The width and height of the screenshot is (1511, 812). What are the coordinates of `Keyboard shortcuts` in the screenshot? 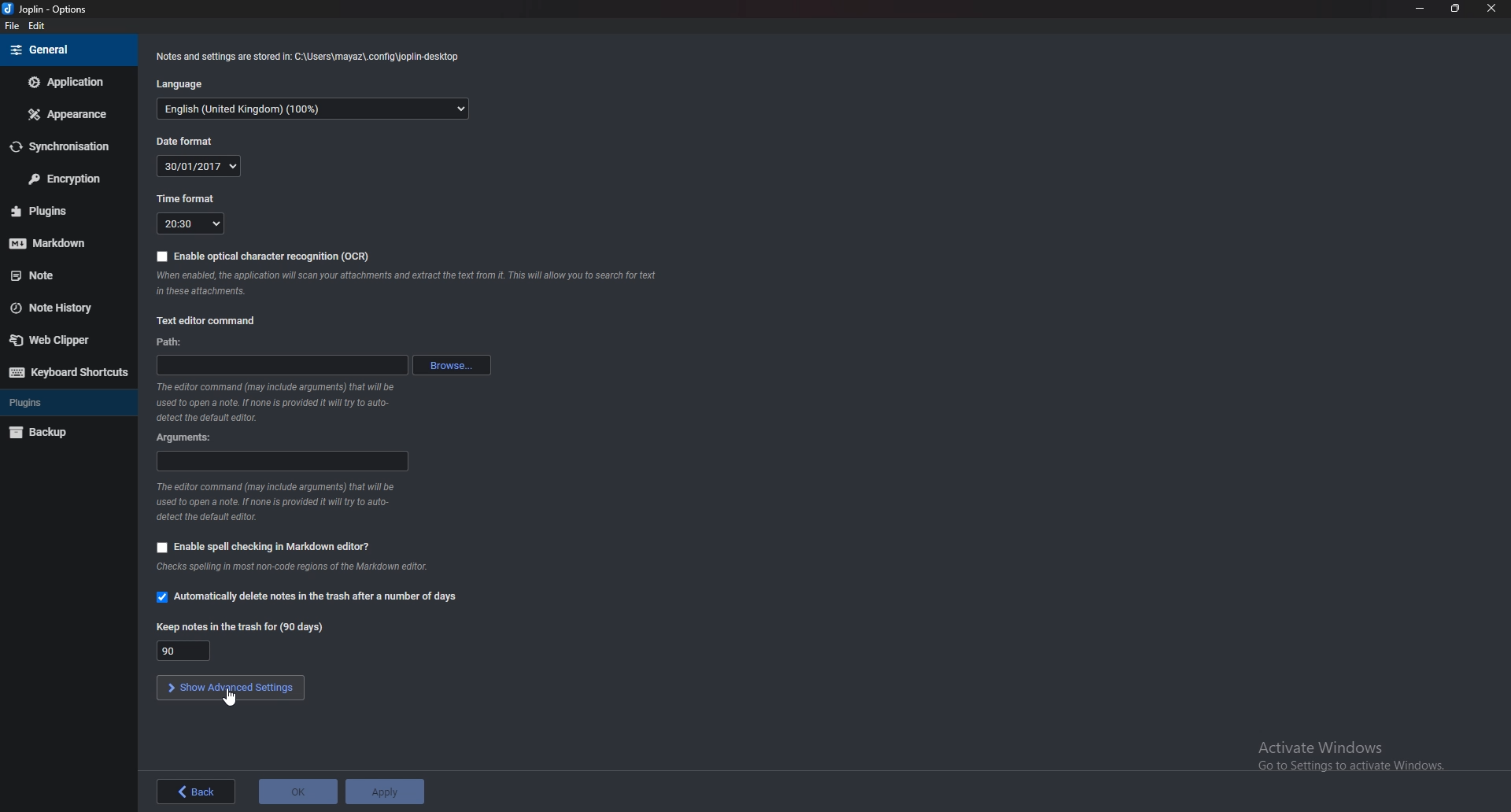 It's located at (68, 372).